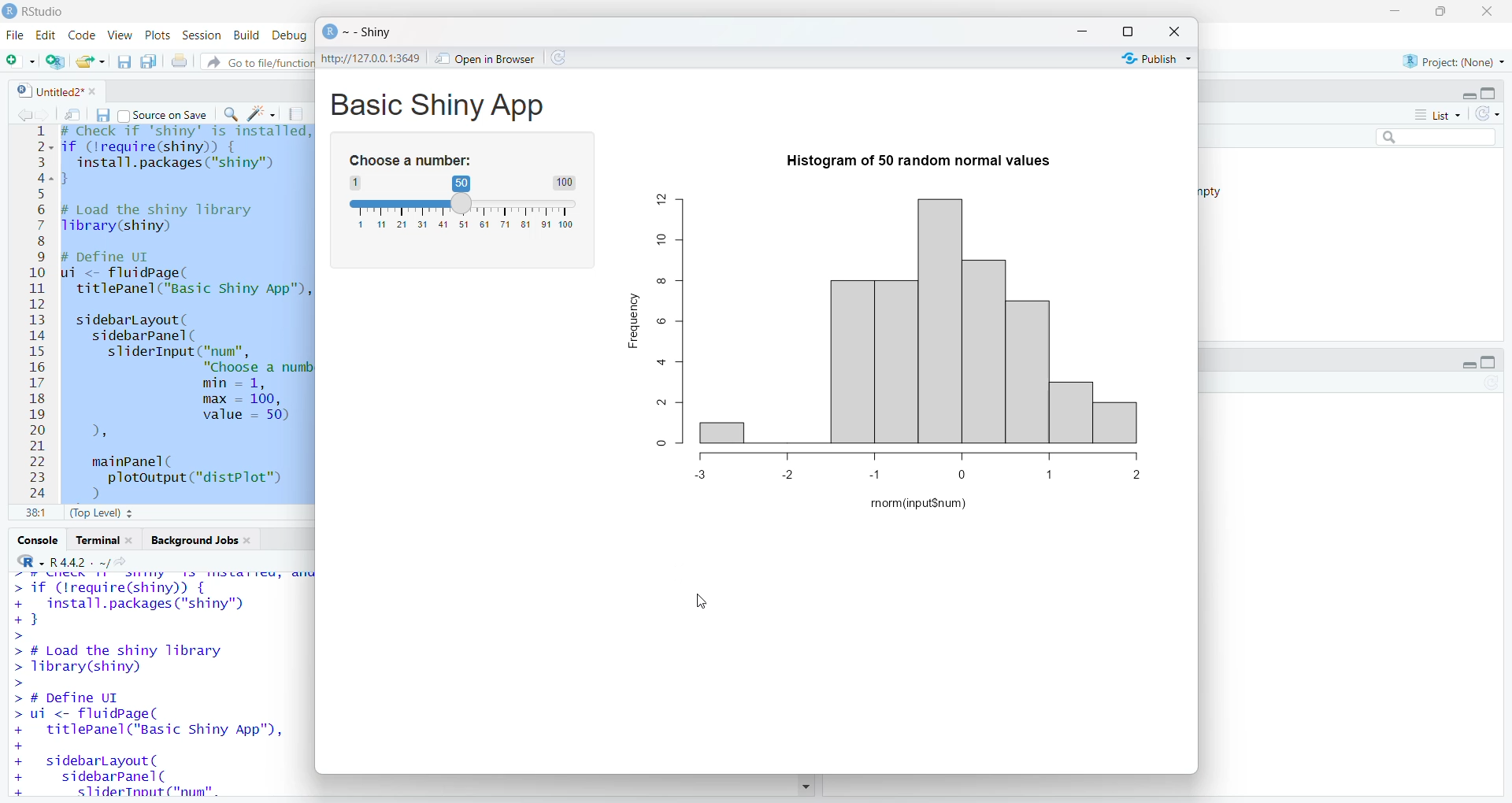 Image resolution: width=1512 pixels, height=803 pixels. I want to click on back, so click(22, 115).